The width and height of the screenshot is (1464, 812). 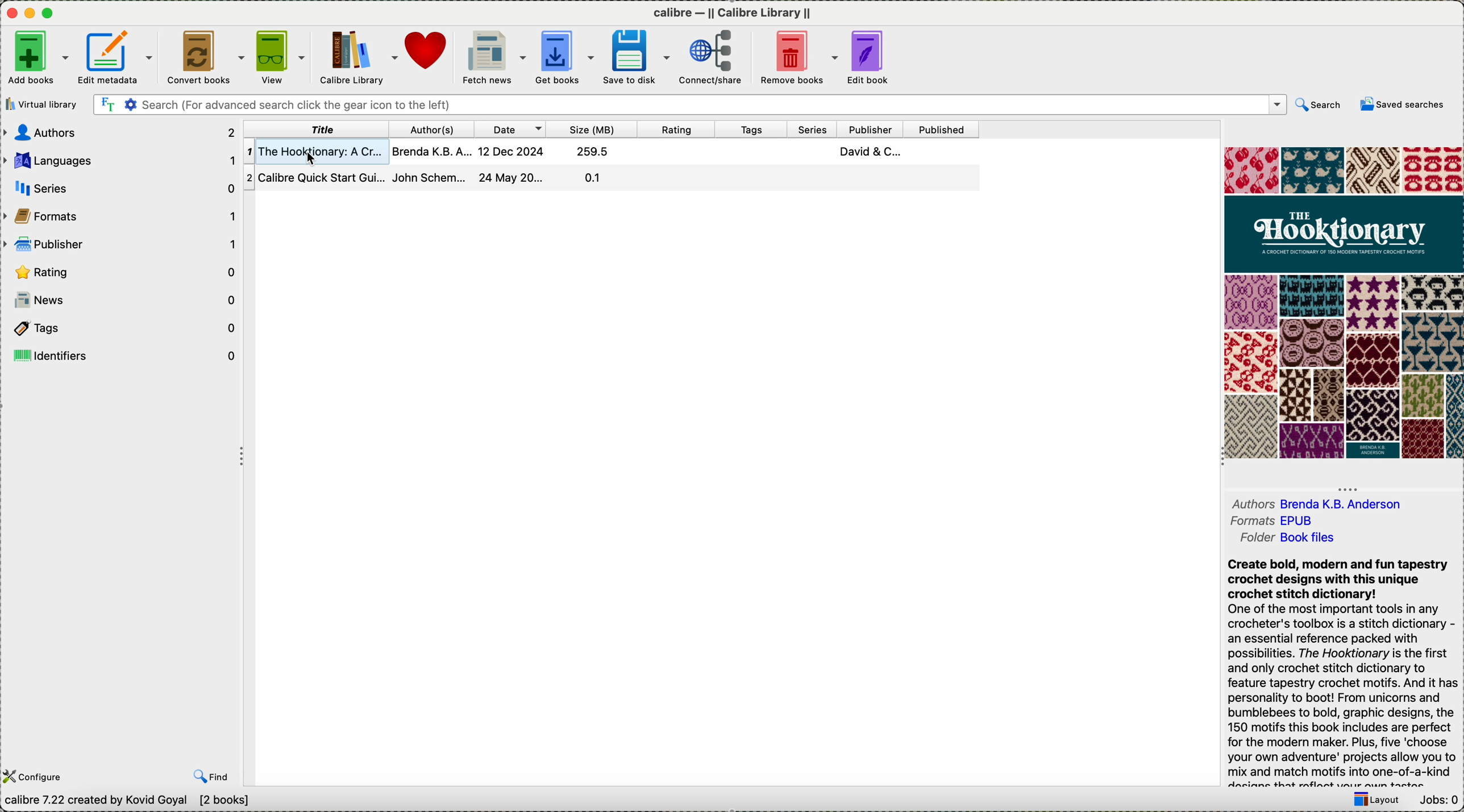 I want to click on news, so click(x=122, y=299).